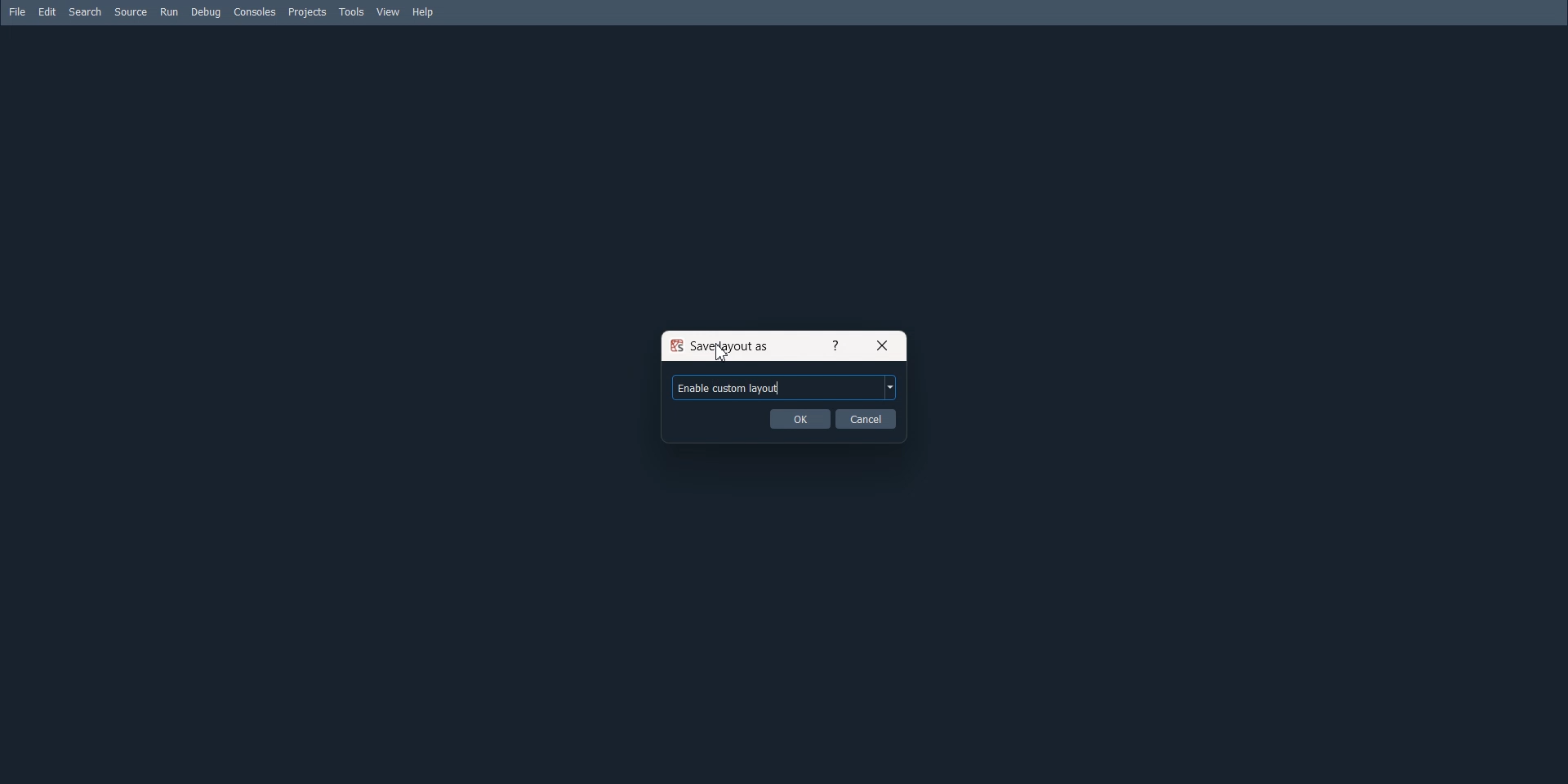 The image size is (1568, 784). What do you see at coordinates (206, 12) in the screenshot?
I see `Debug` at bounding box center [206, 12].